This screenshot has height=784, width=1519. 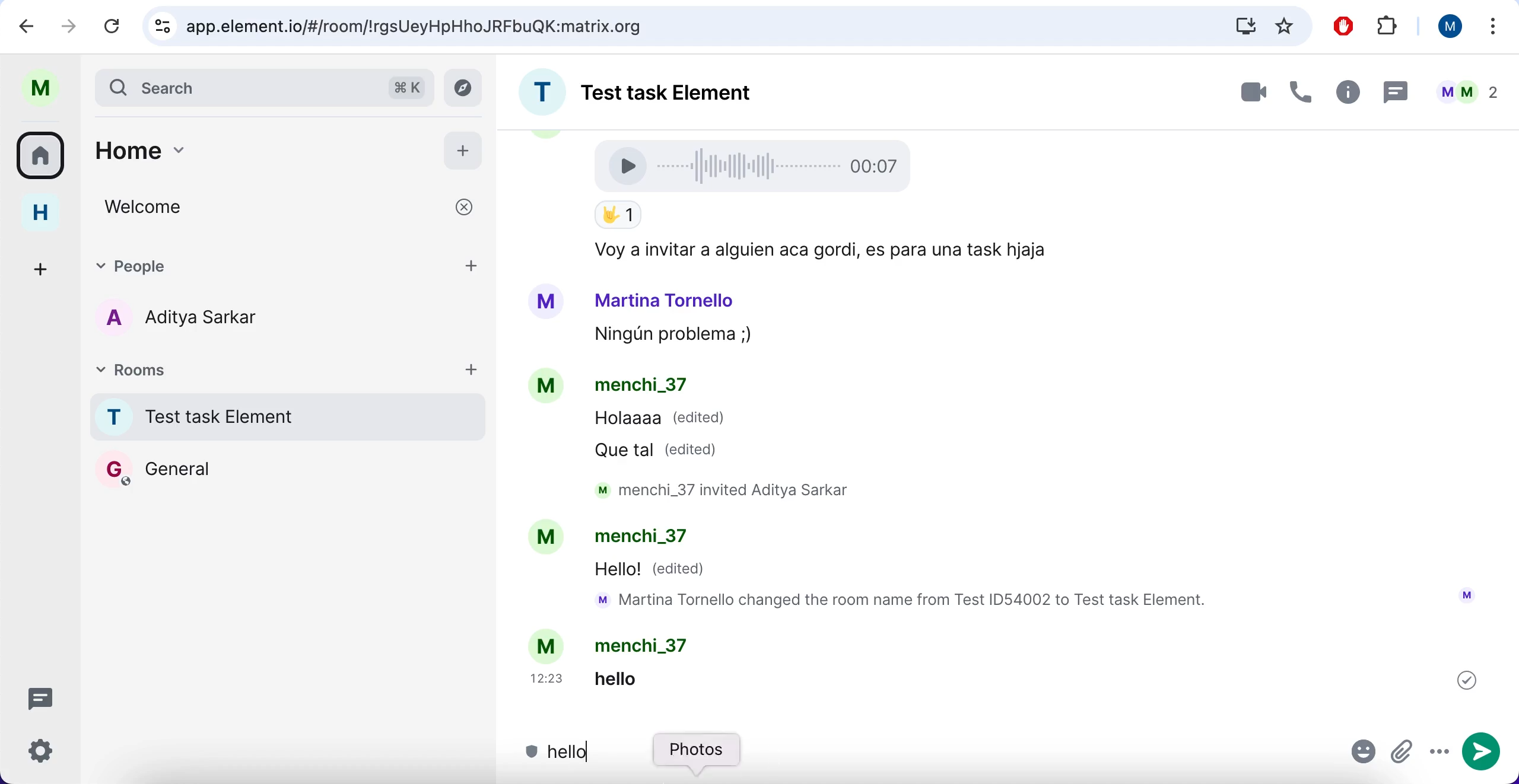 I want to click on home, so click(x=247, y=157).